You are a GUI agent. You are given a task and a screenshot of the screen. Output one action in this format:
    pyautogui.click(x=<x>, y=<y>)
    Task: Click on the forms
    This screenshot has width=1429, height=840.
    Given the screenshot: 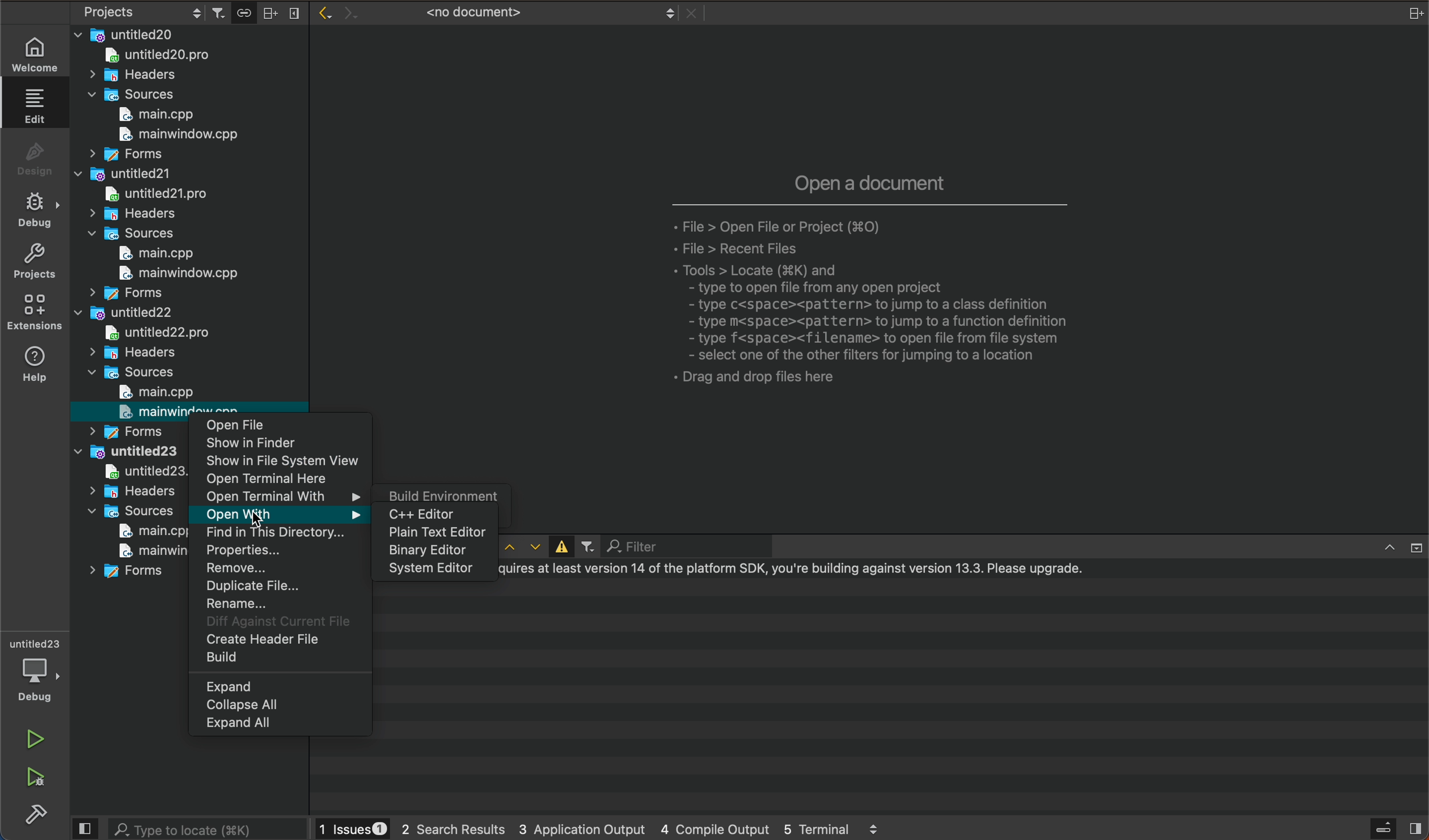 What is the action you would take?
    pyautogui.click(x=129, y=429)
    